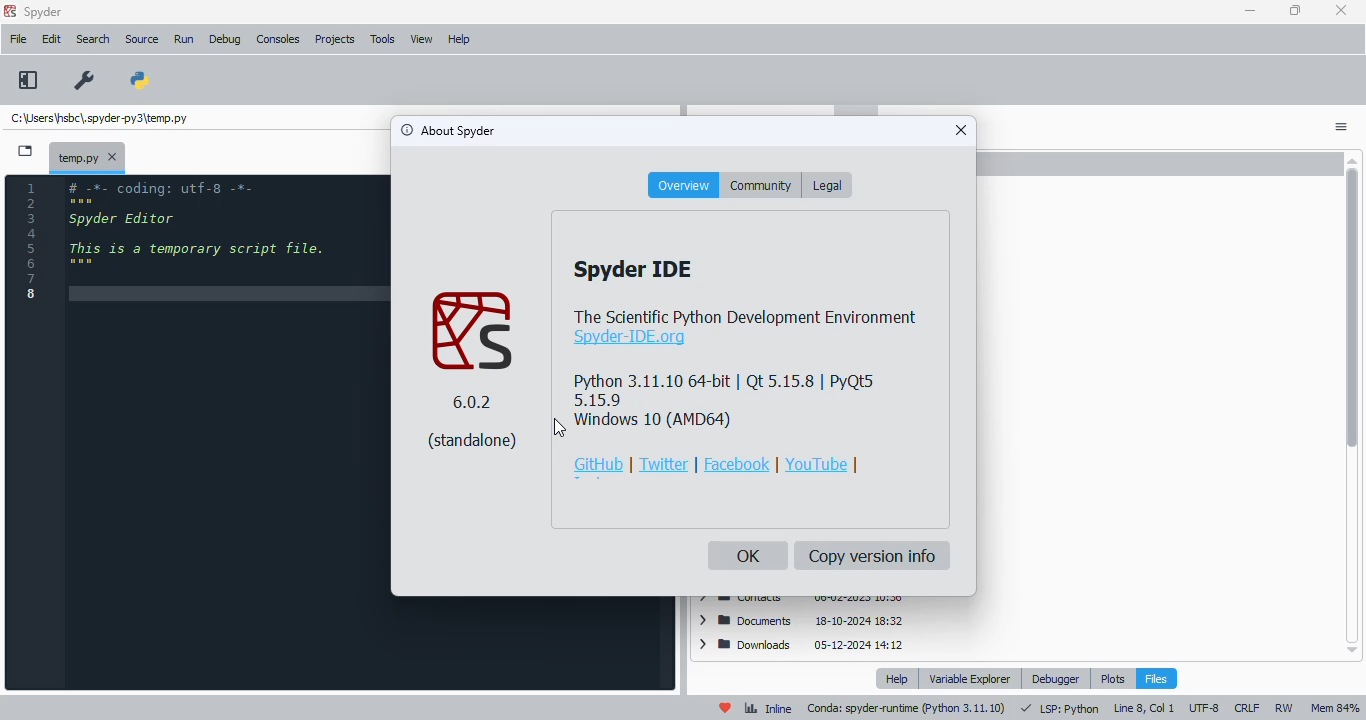 This screenshot has height=720, width=1366. Describe the element at coordinates (801, 646) in the screenshot. I see `> WB Downloads 05-12-2024 14:12.` at that location.